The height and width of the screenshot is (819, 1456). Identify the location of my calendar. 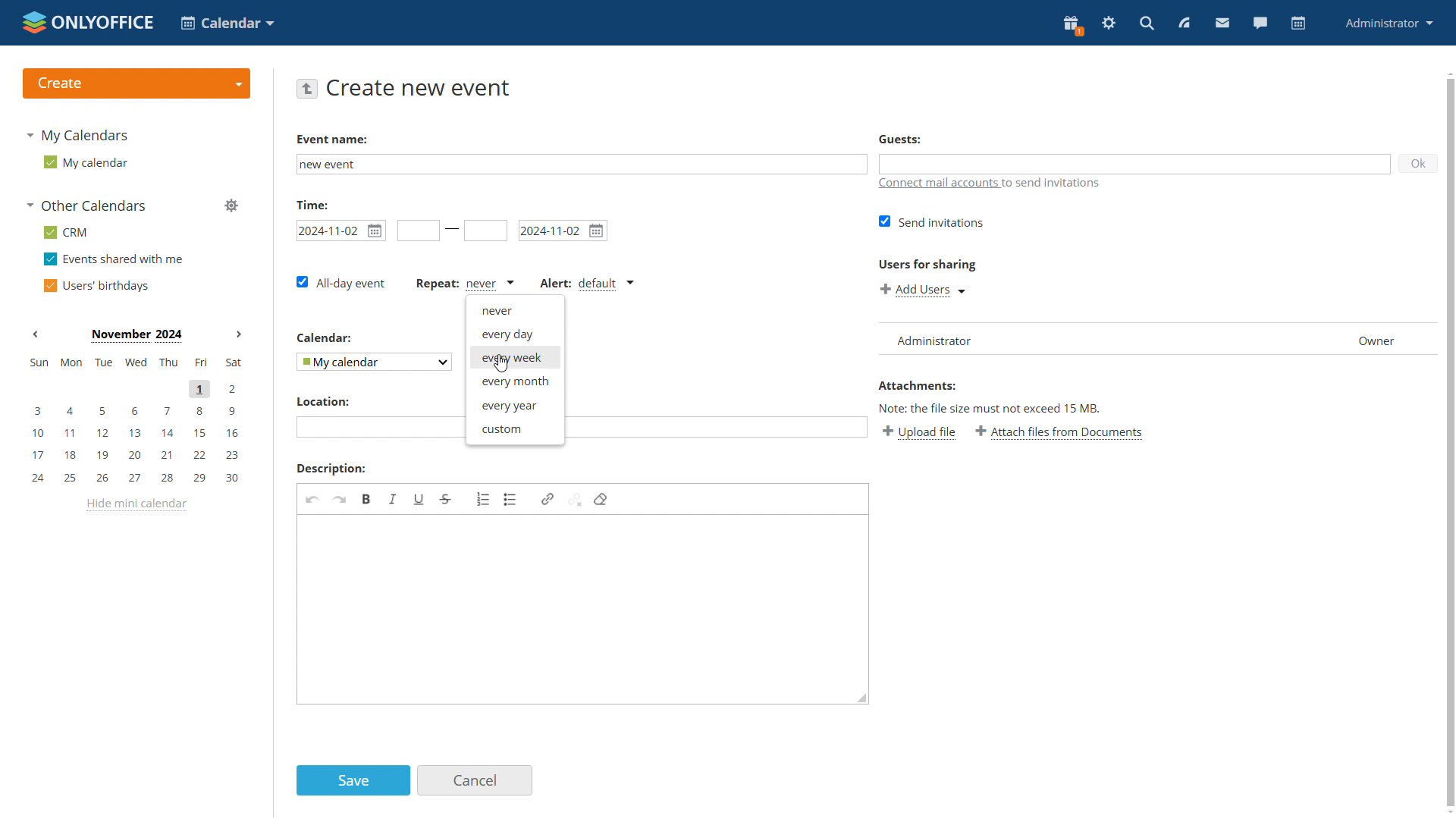
(86, 162).